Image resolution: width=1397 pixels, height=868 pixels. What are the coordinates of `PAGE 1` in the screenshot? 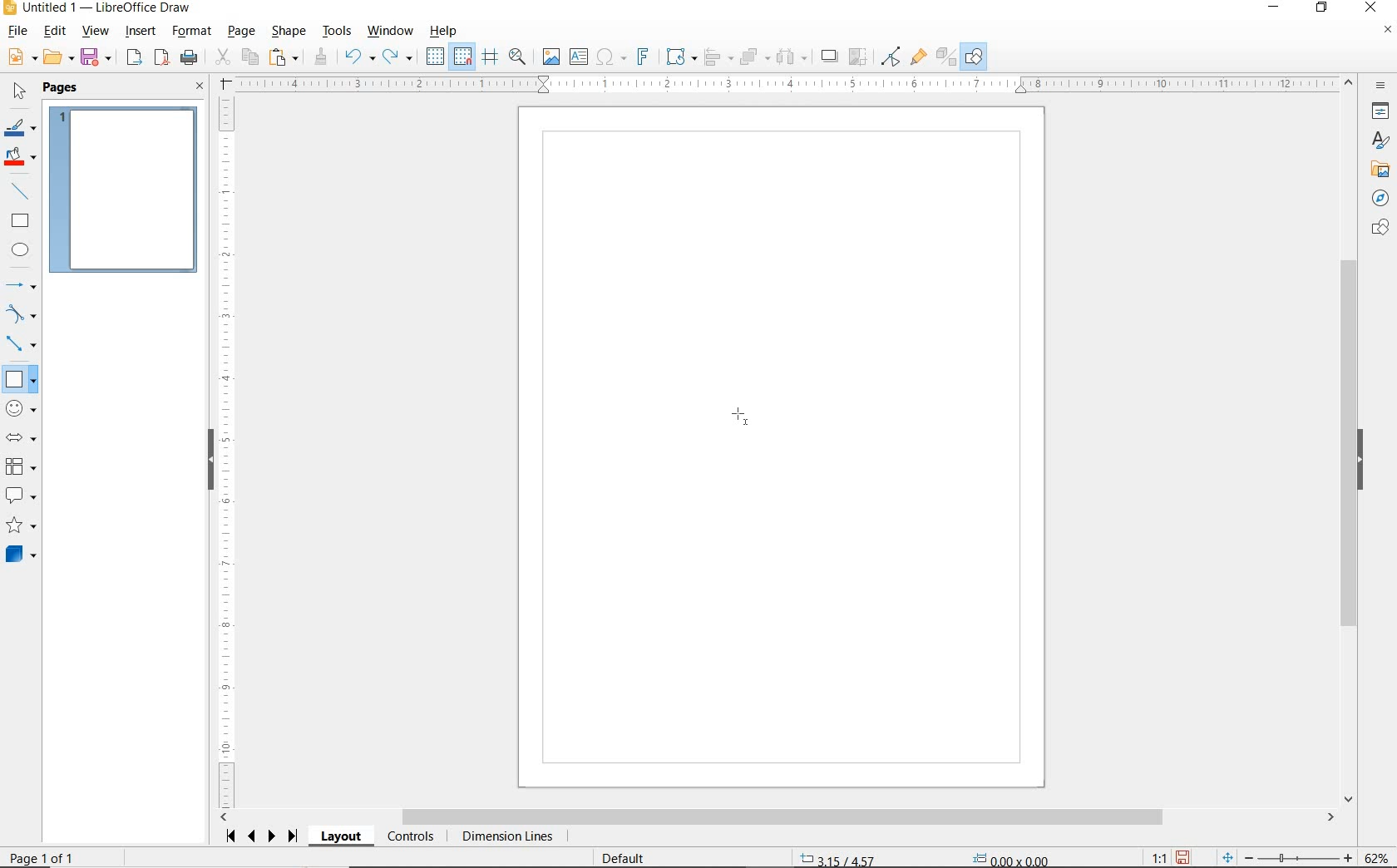 It's located at (124, 189).